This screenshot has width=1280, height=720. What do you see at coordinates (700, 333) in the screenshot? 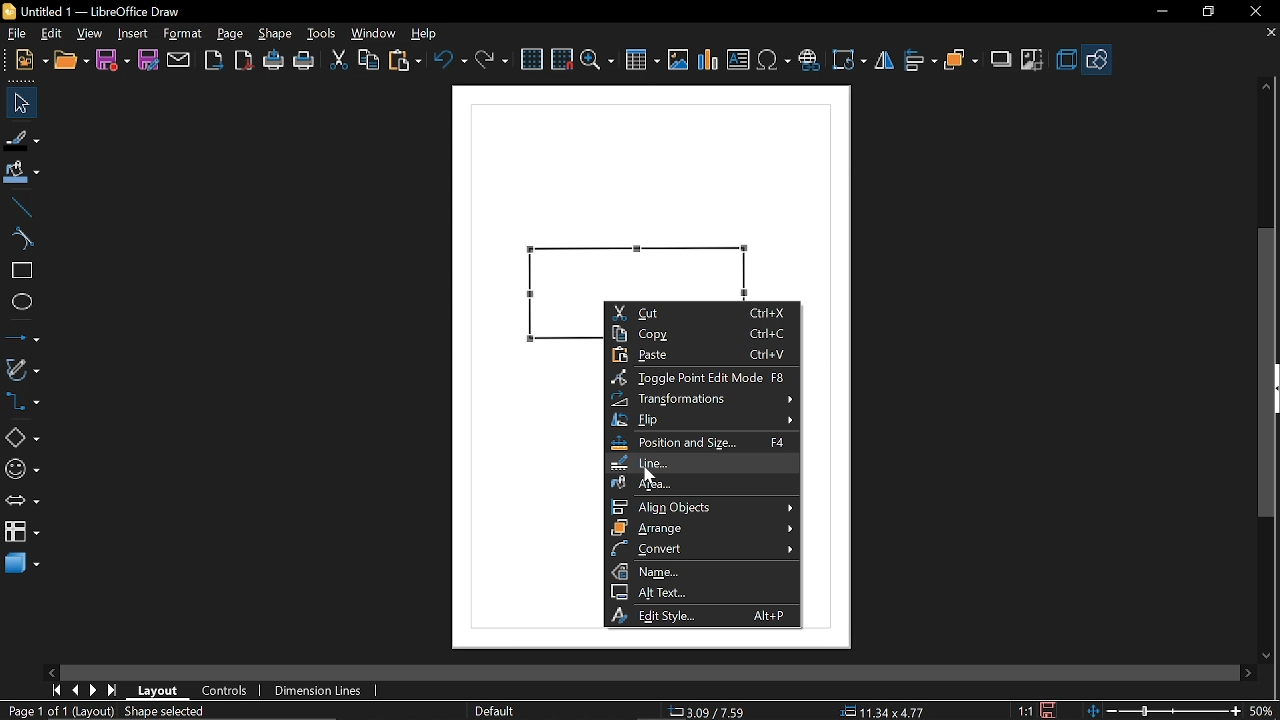
I see `Copy` at bounding box center [700, 333].